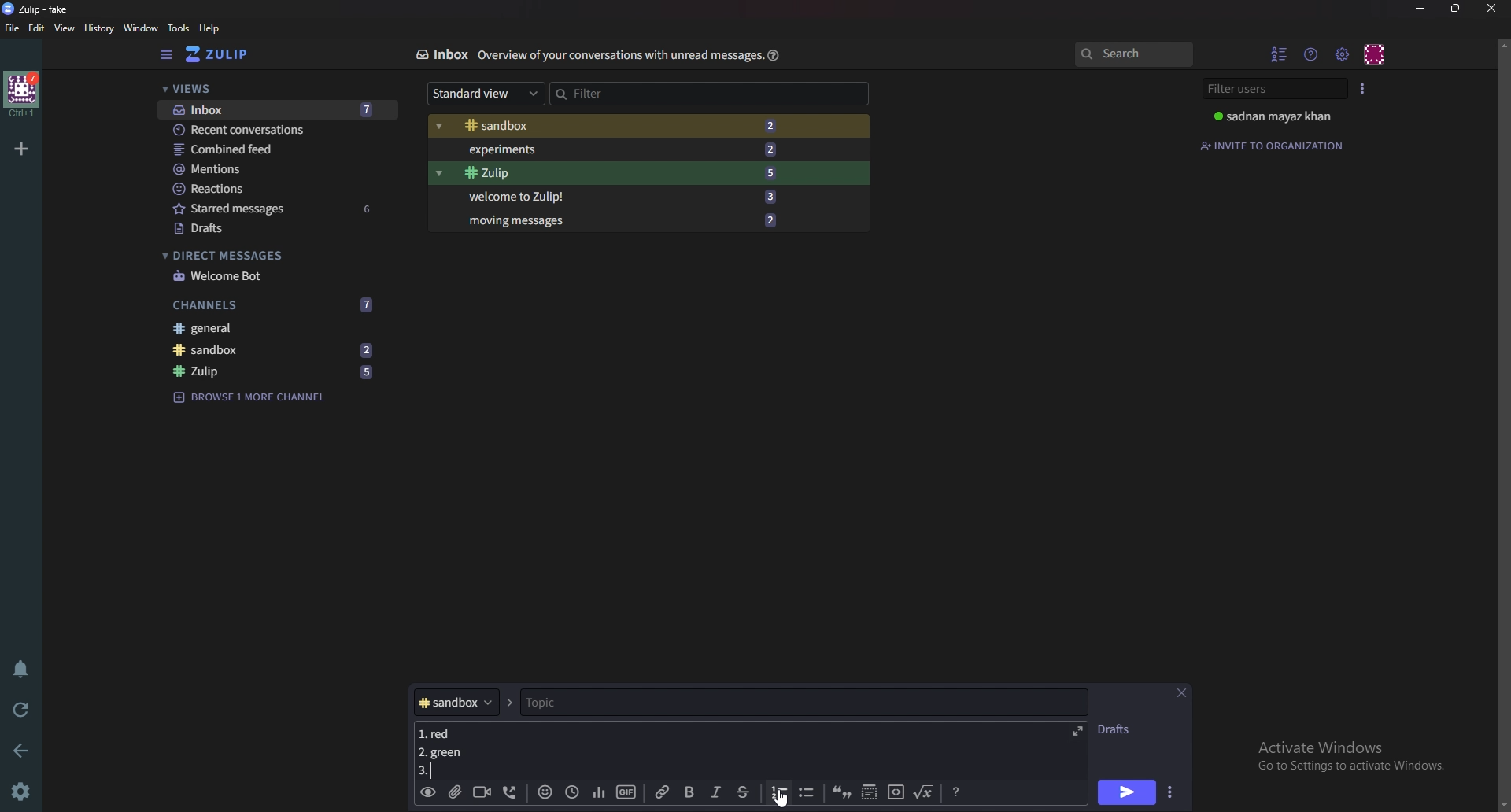 This screenshot has height=812, width=1511. What do you see at coordinates (843, 794) in the screenshot?
I see `quote` at bounding box center [843, 794].